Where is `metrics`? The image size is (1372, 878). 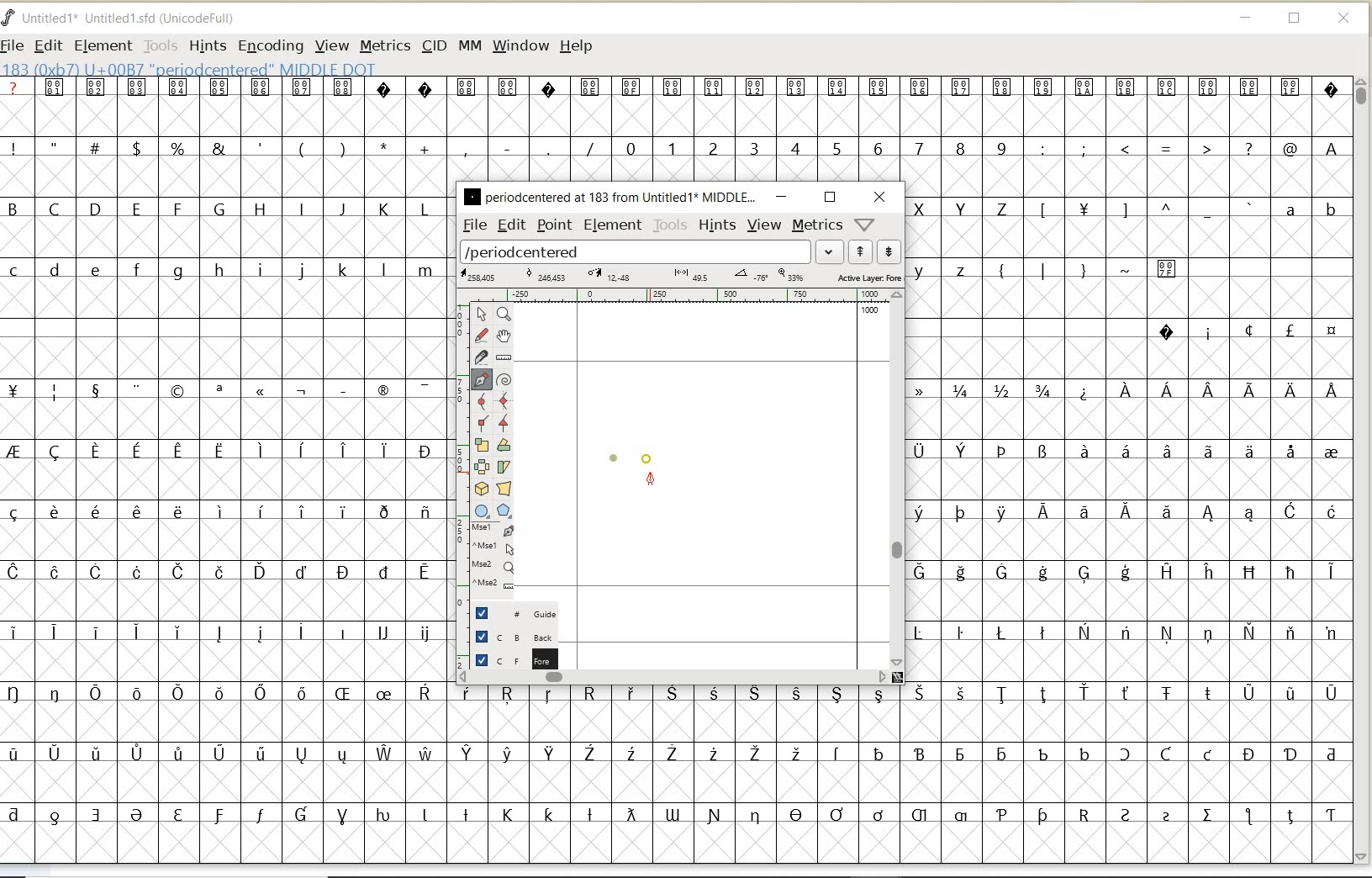
metrics is located at coordinates (818, 225).